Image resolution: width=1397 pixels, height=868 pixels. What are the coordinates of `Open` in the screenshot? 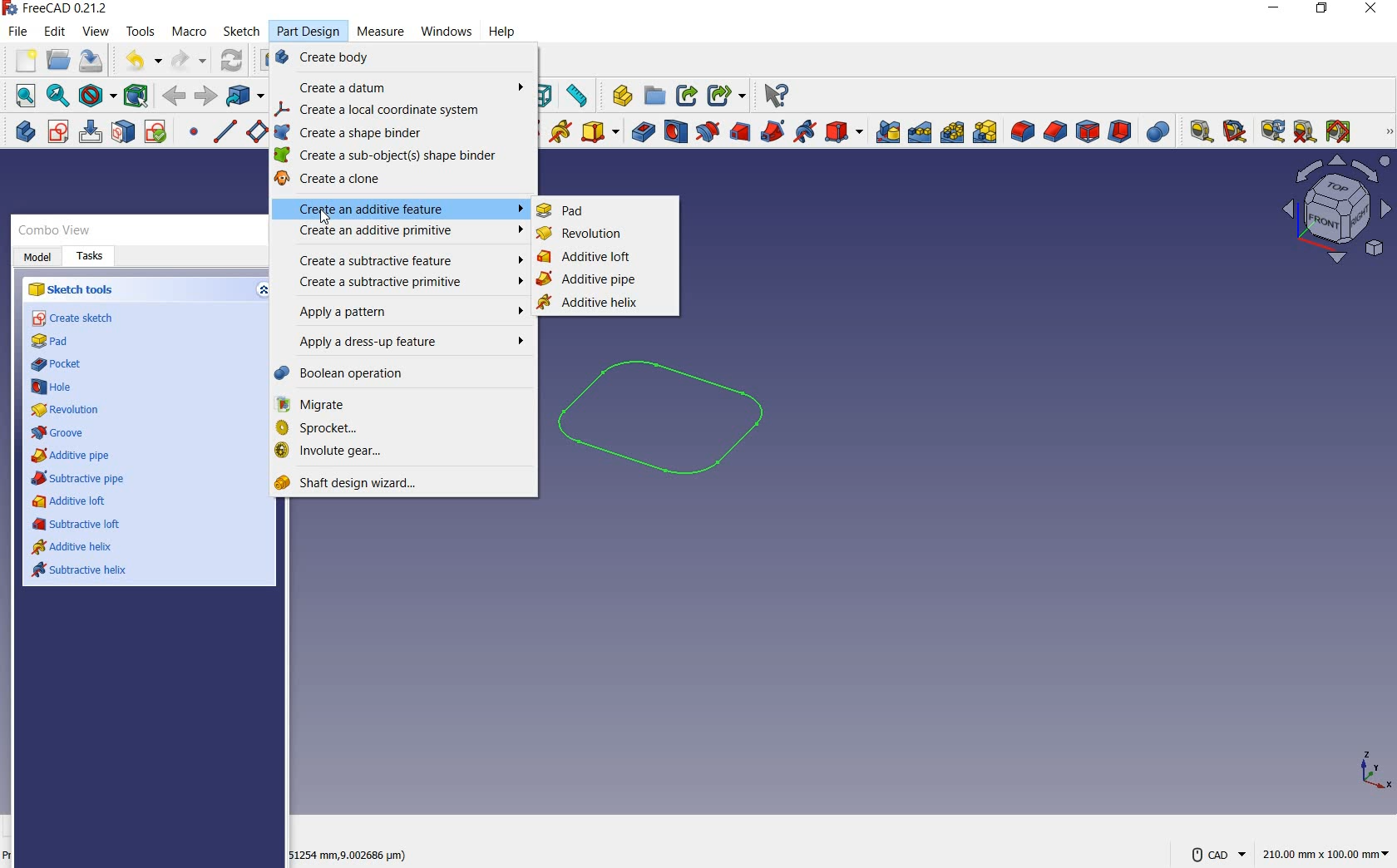 It's located at (657, 92).